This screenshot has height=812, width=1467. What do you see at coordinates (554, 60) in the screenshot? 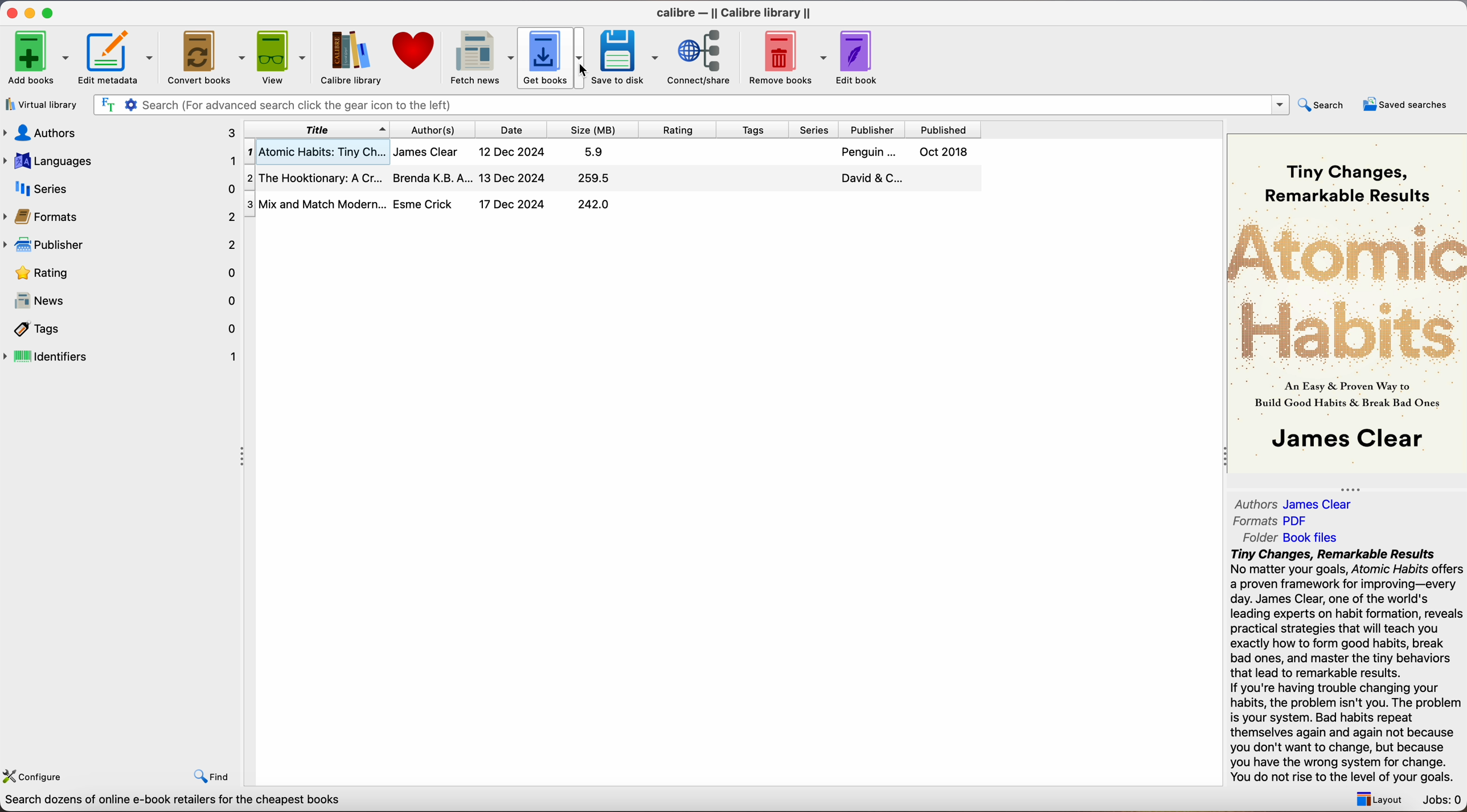
I see `click on get books` at bounding box center [554, 60].